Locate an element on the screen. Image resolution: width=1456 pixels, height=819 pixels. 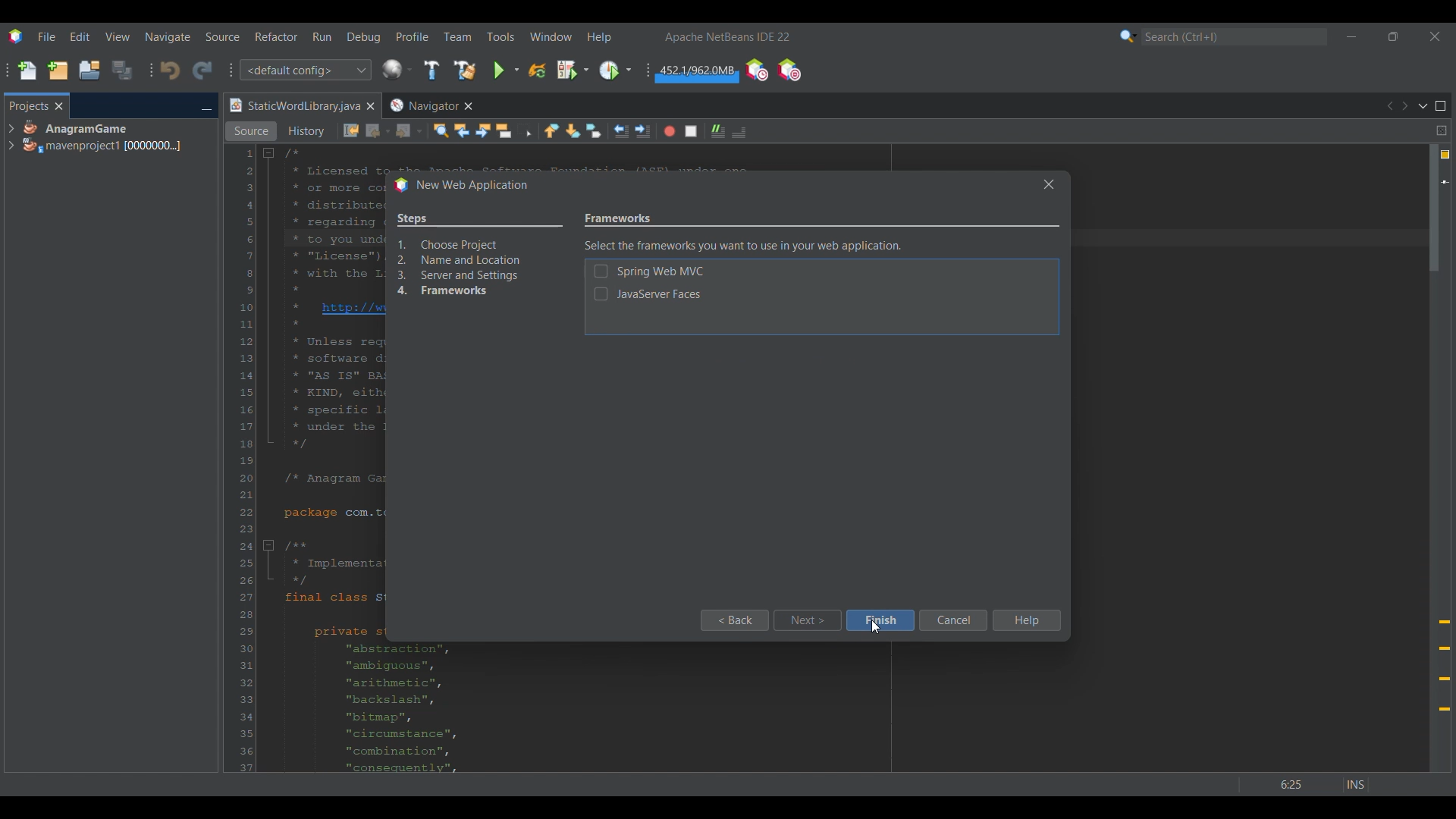
Configure window is located at coordinates (397, 69).